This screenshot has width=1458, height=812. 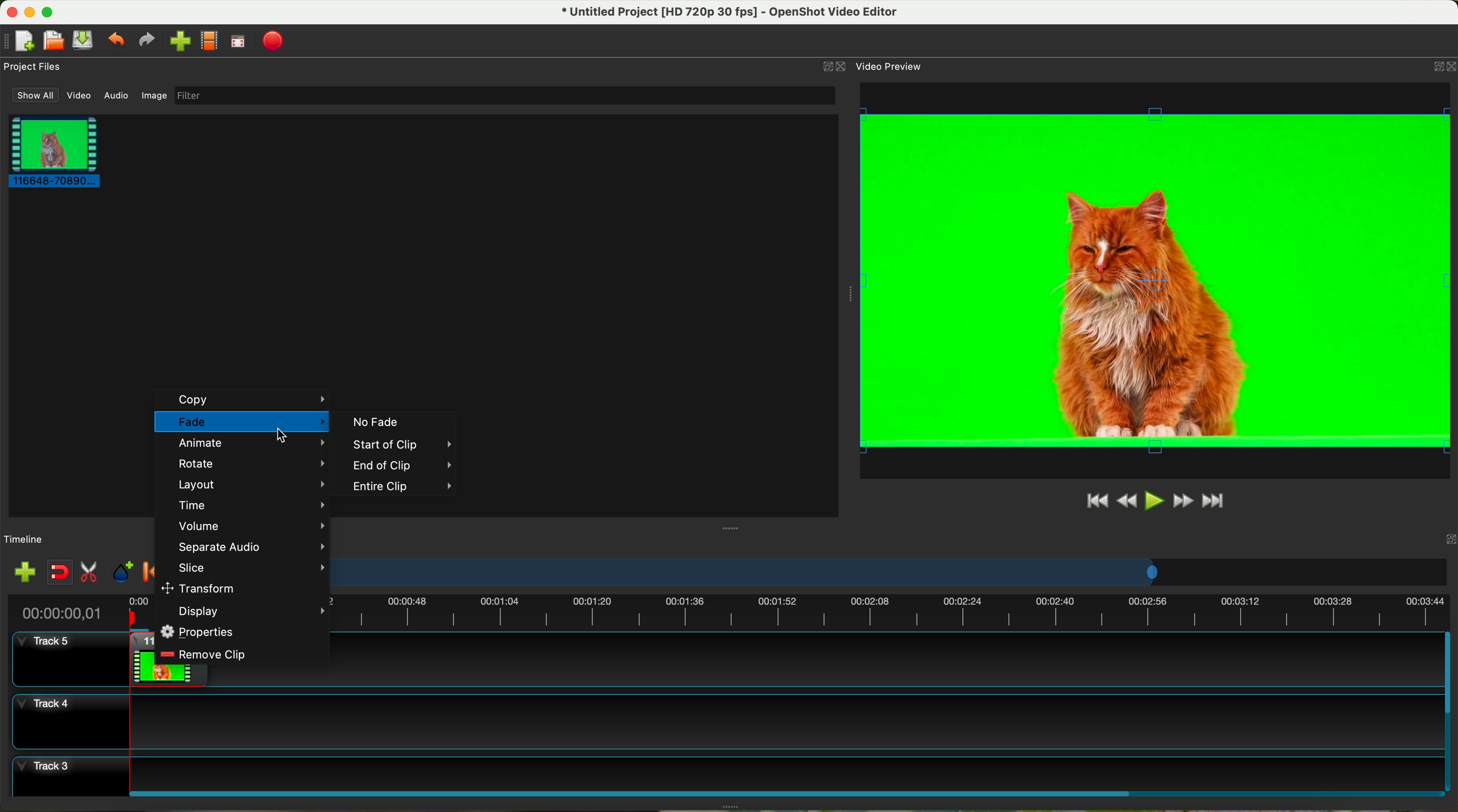 What do you see at coordinates (24, 573) in the screenshot?
I see `import files` at bounding box center [24, 573].